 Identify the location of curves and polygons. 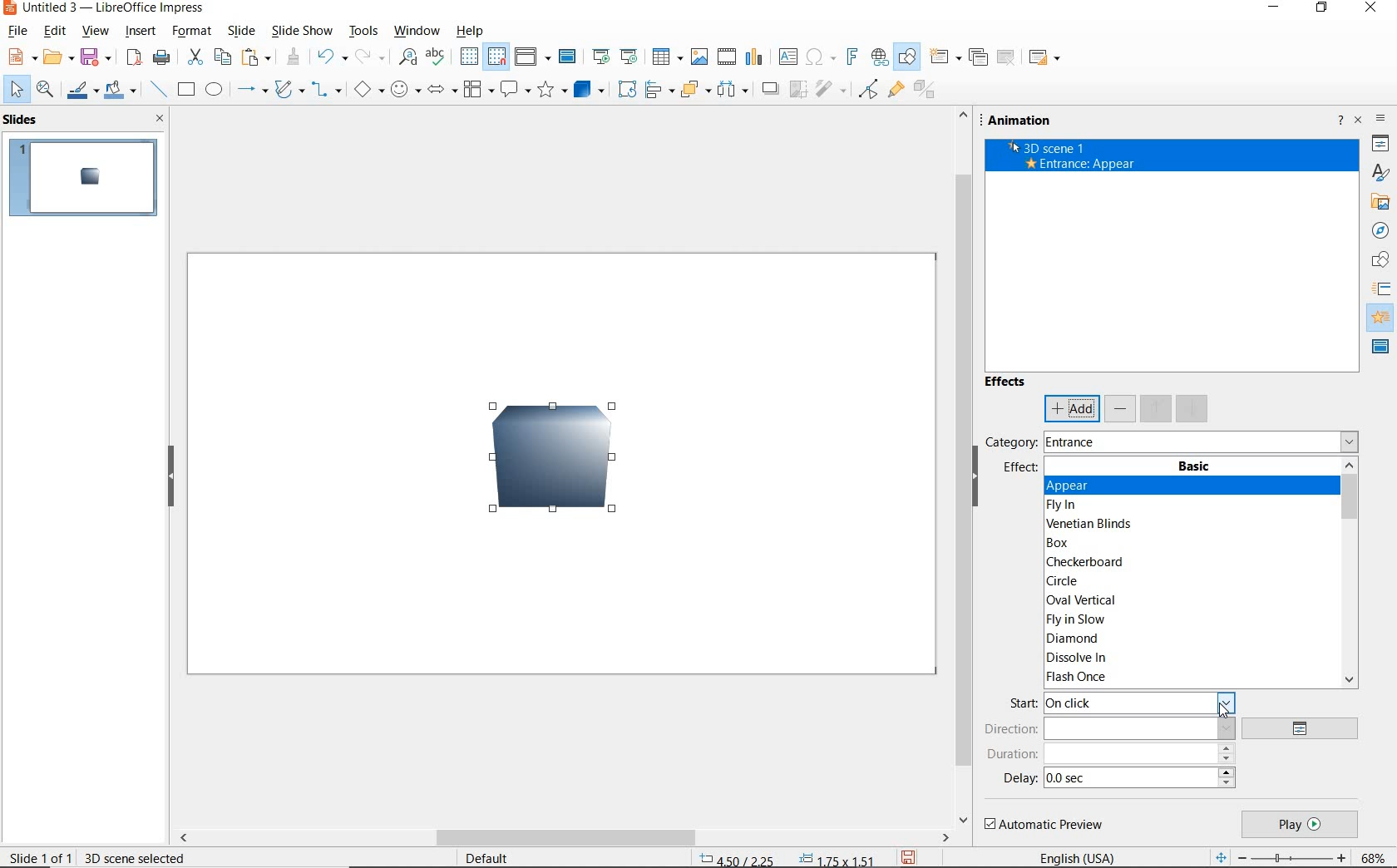
(289, 91).